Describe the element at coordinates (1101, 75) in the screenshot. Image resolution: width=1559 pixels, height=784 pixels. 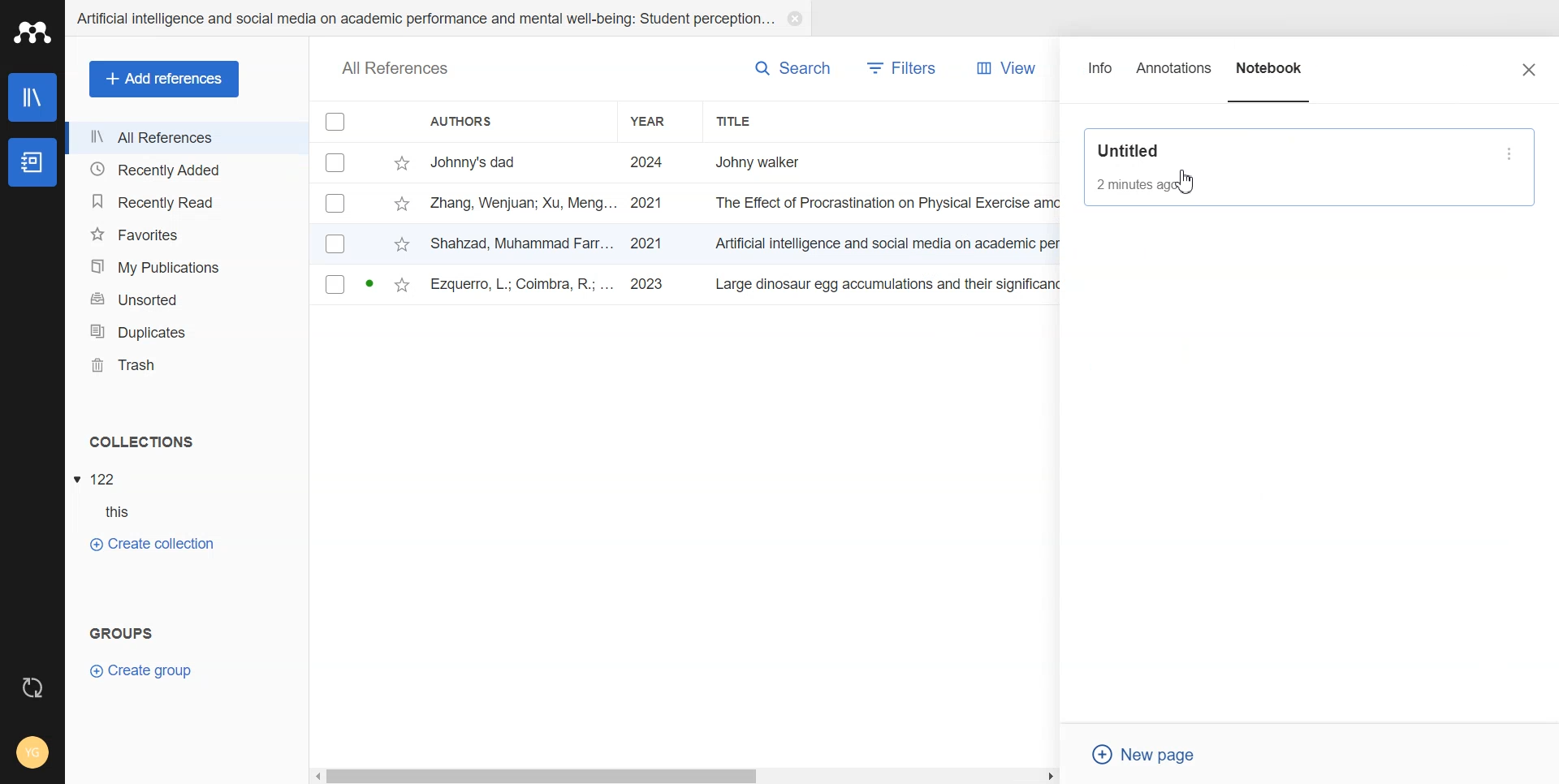
I see `Info` at that location.